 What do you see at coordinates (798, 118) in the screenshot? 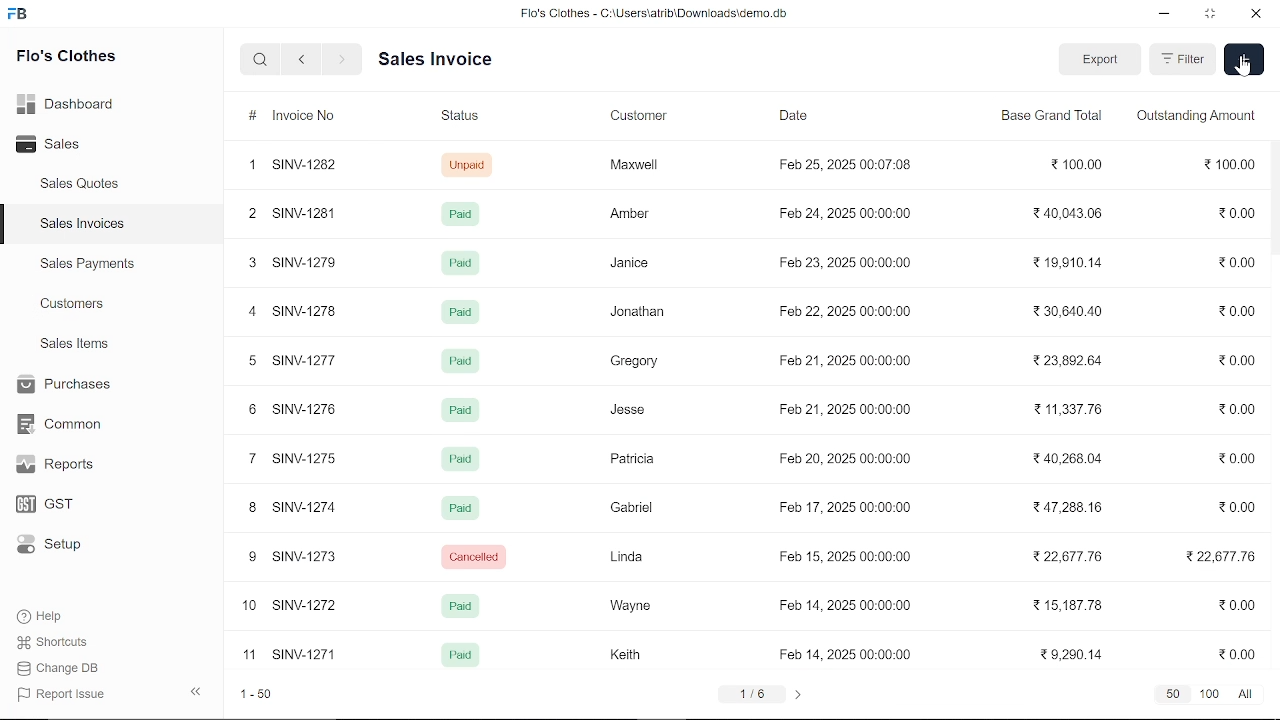
I see ` Date` at bounding box center [798, 118].